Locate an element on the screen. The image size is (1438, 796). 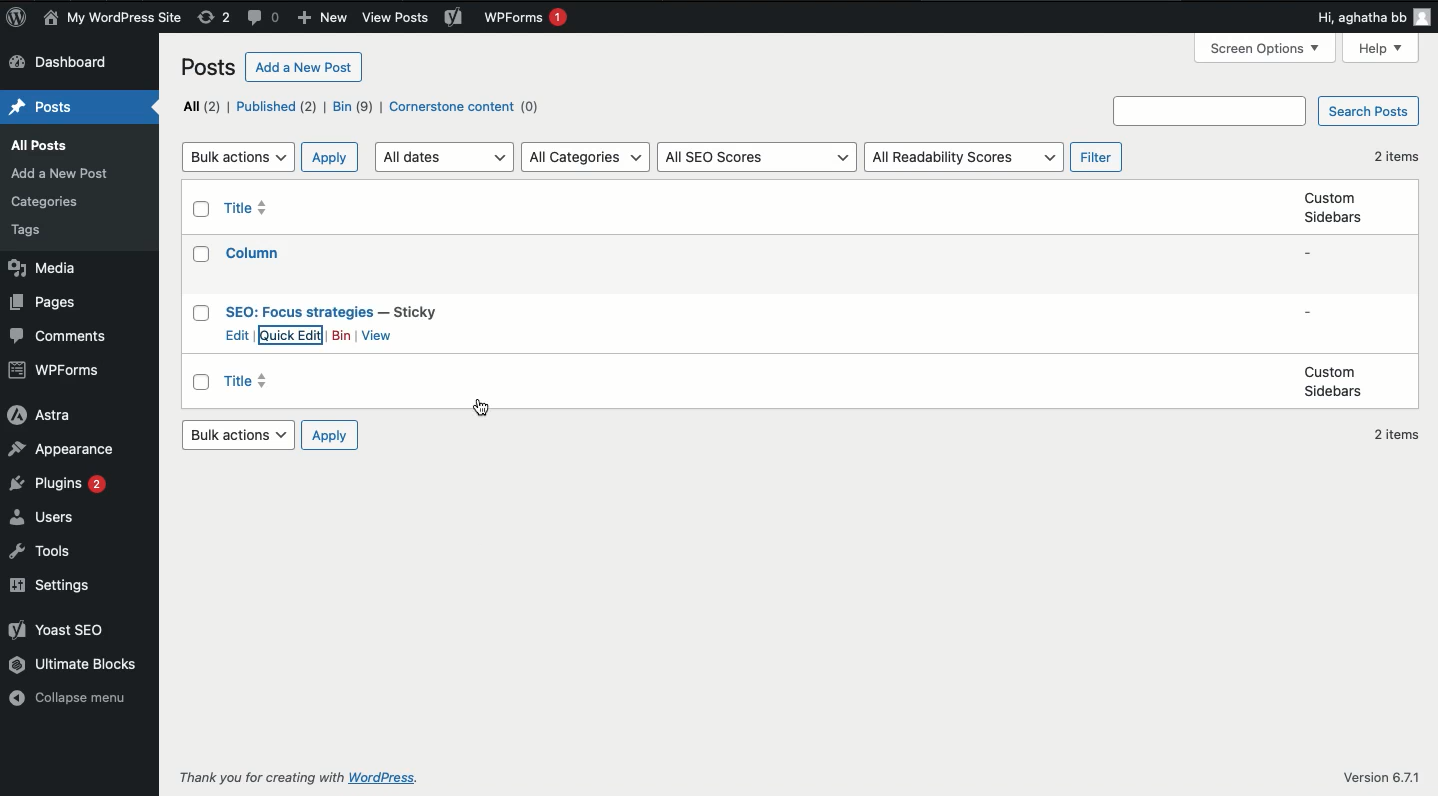
Title is located at coordinates (255, 383).